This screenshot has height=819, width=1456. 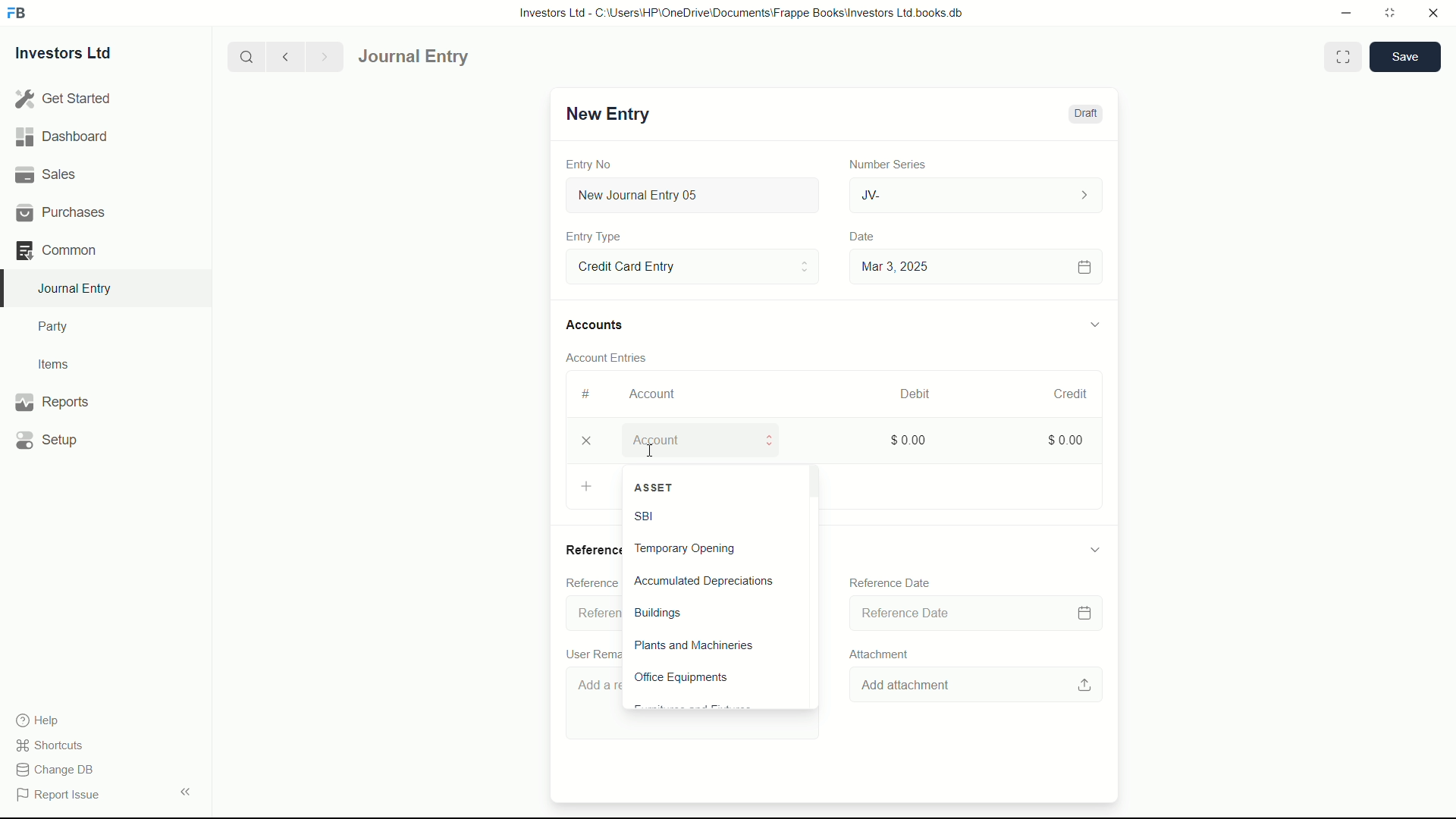 What do you see at coordinates (591, 705) in the screenshot?
I see `Add a remark` at bounding box center [591, 705].